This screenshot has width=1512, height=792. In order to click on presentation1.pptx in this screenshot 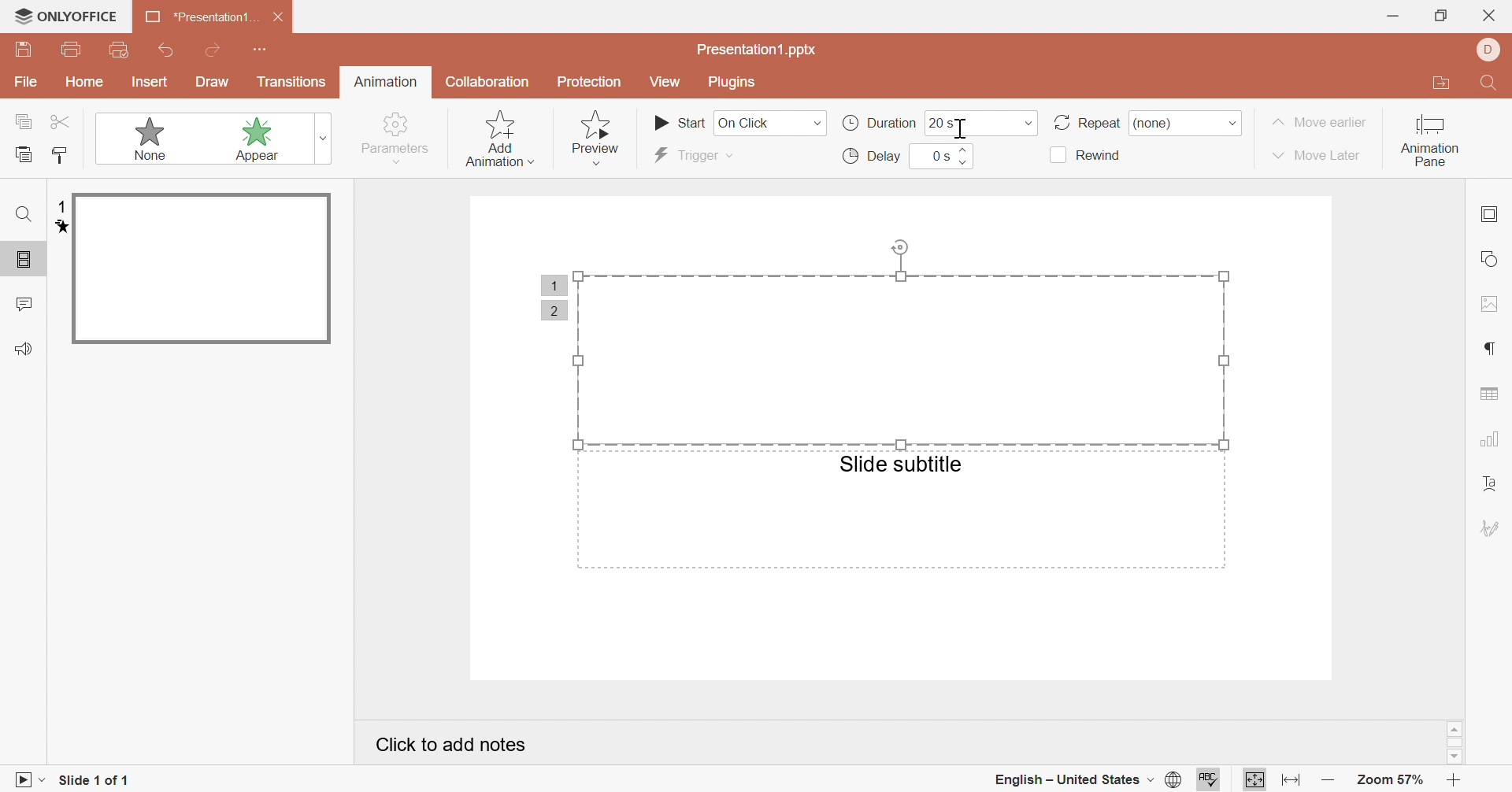, I will do `click(759, 50)`.